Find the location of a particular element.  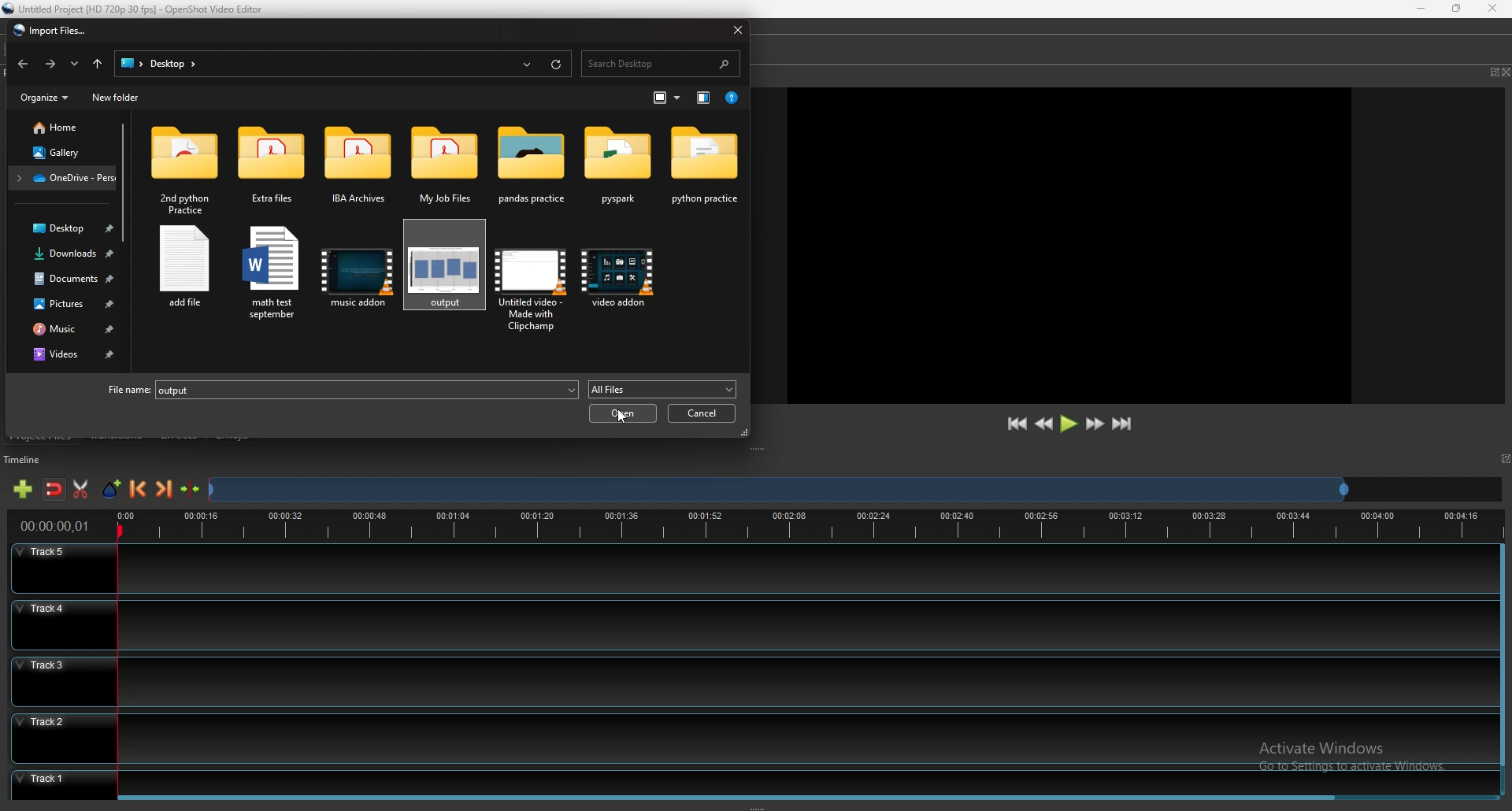

folder is located at coordinates (271, 171).